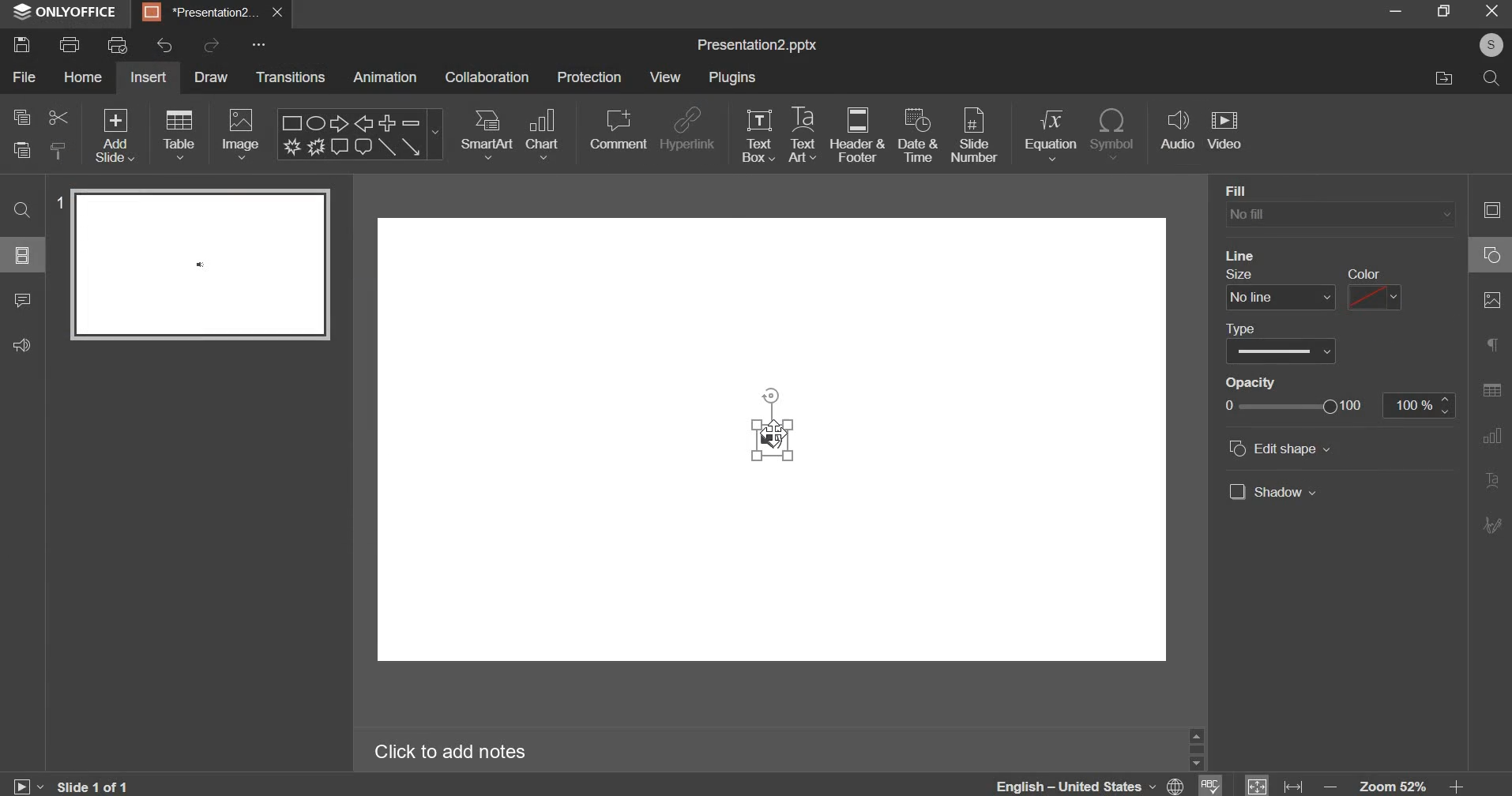 Image resolution: width=1512 pixels, height=796 pixels. What do you see at coordinates (1115, 133) in the screenshot?
I see `insert symbol` at bounding box center [1115, 133].